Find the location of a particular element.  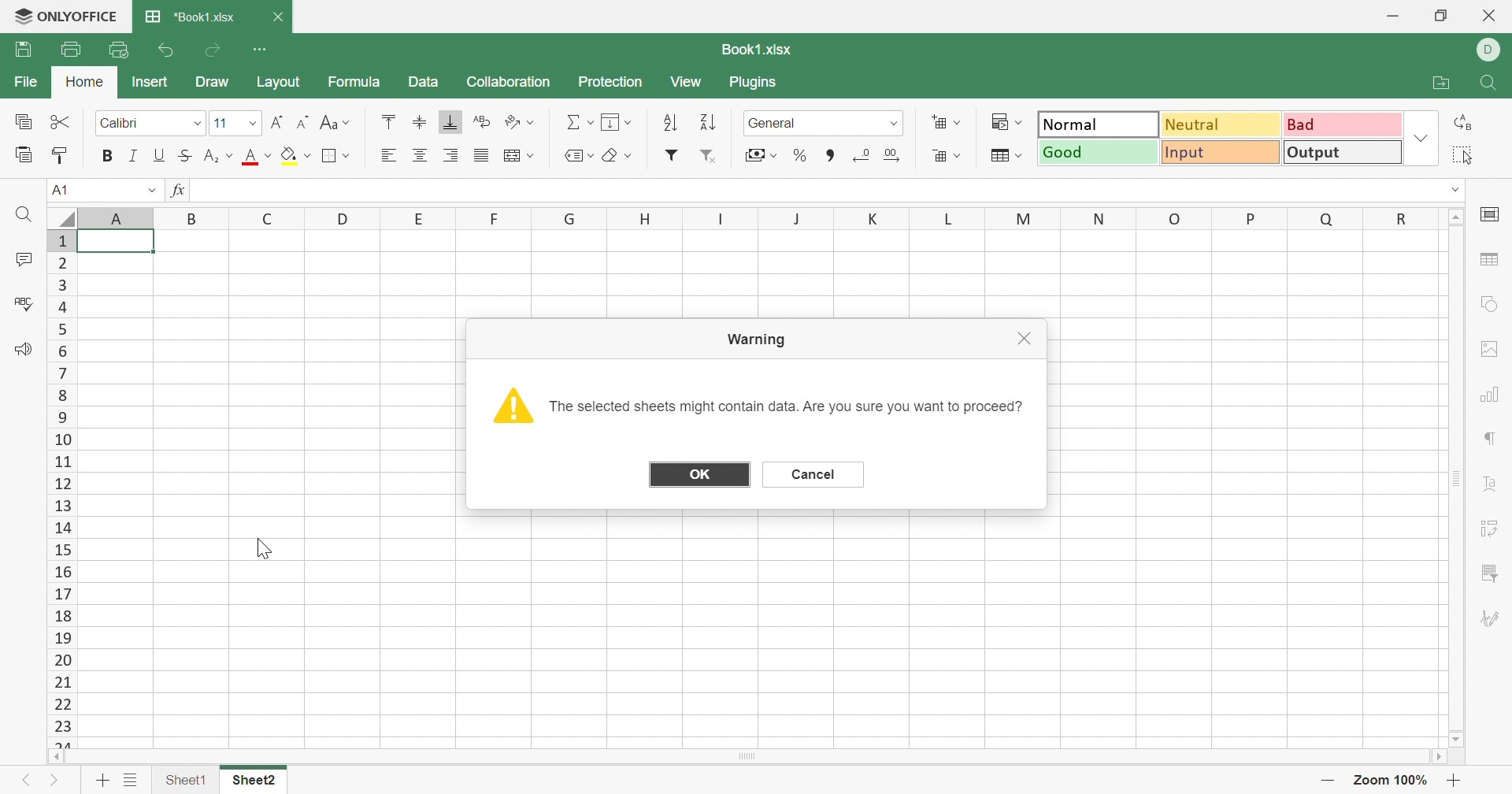

Align Bottom is located at coordinates (453, 123).